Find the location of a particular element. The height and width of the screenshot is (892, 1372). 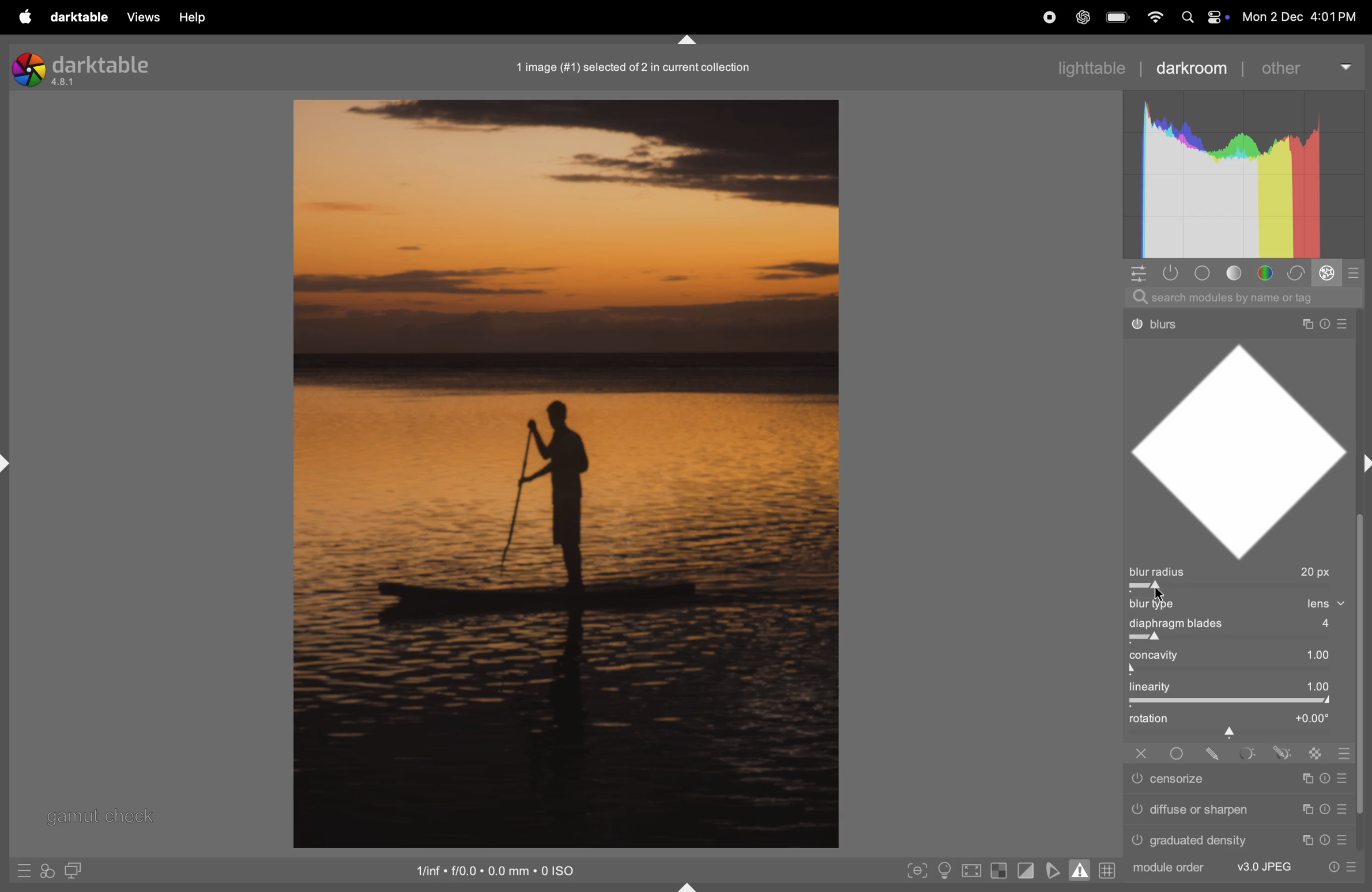

tone is located at coordinates (1239, 273).